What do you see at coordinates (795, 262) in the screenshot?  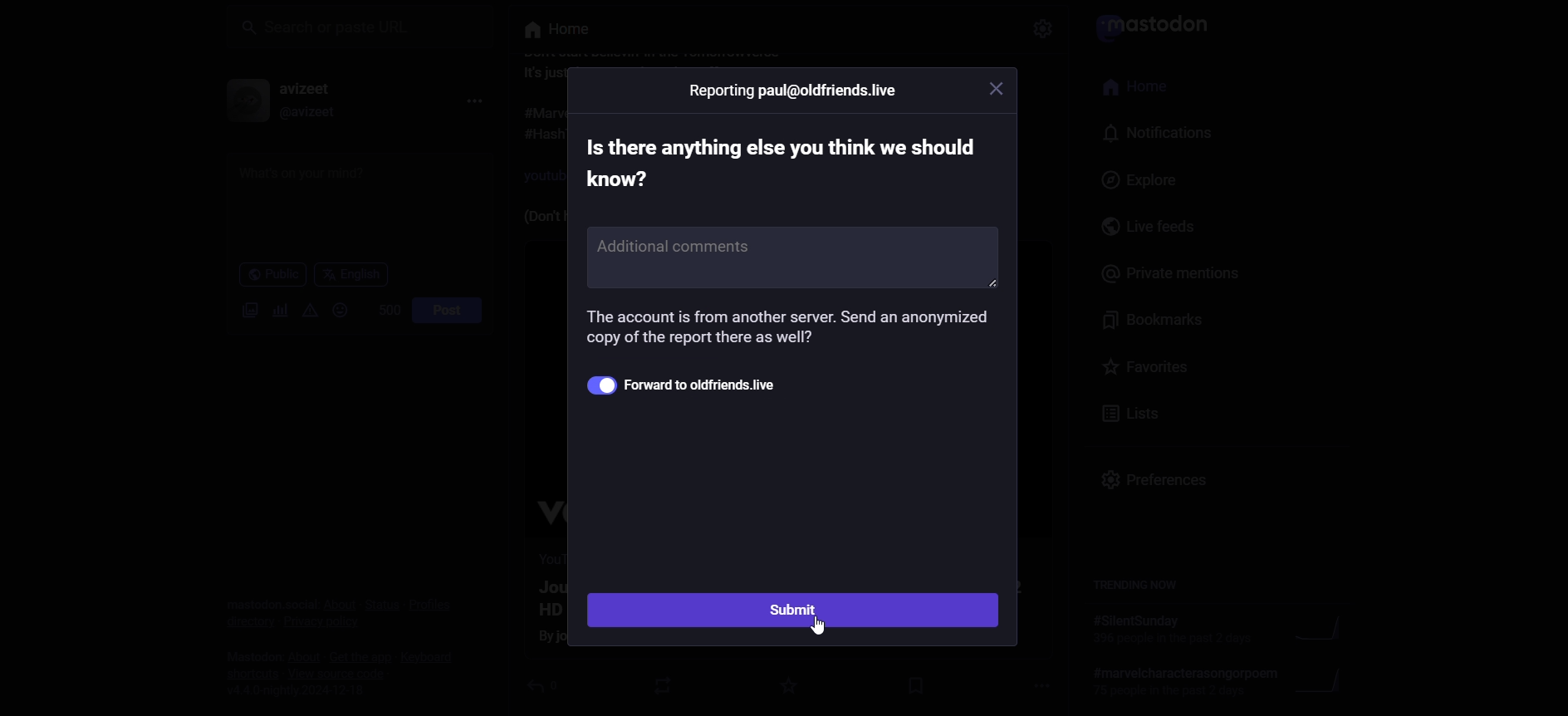 I see `additional comments` at bounding box center [795, 262].